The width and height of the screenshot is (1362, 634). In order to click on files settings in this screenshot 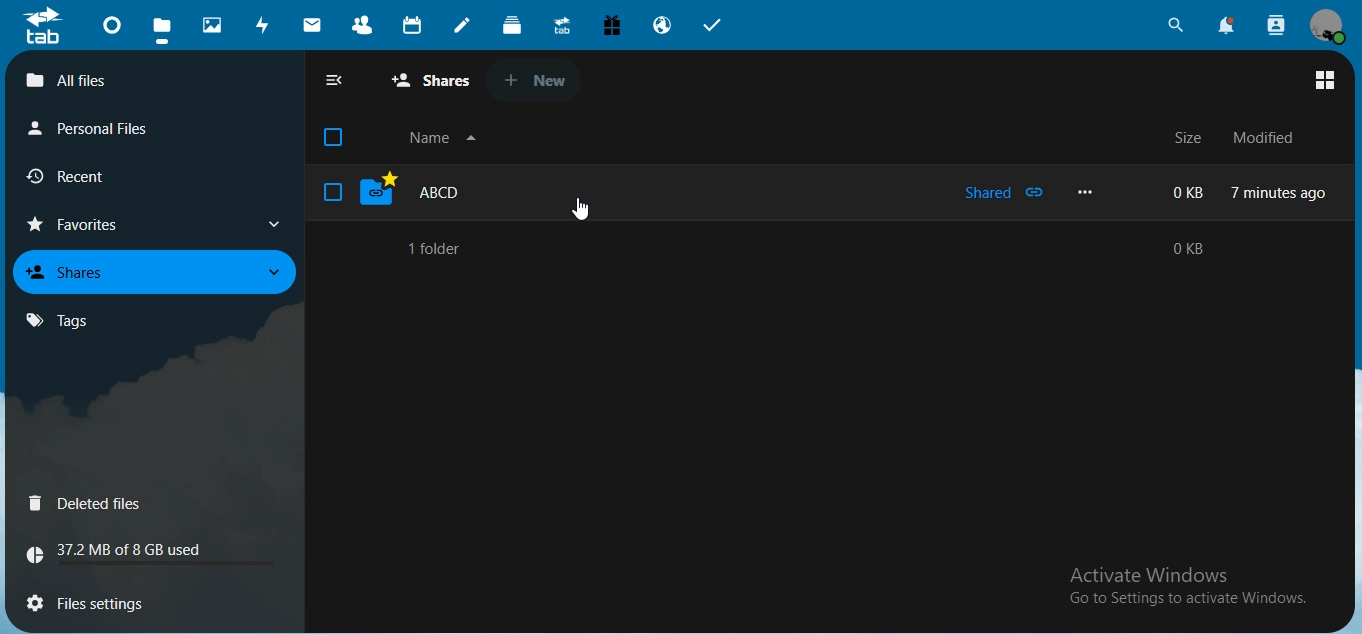, I will do `click(117, 600)`.